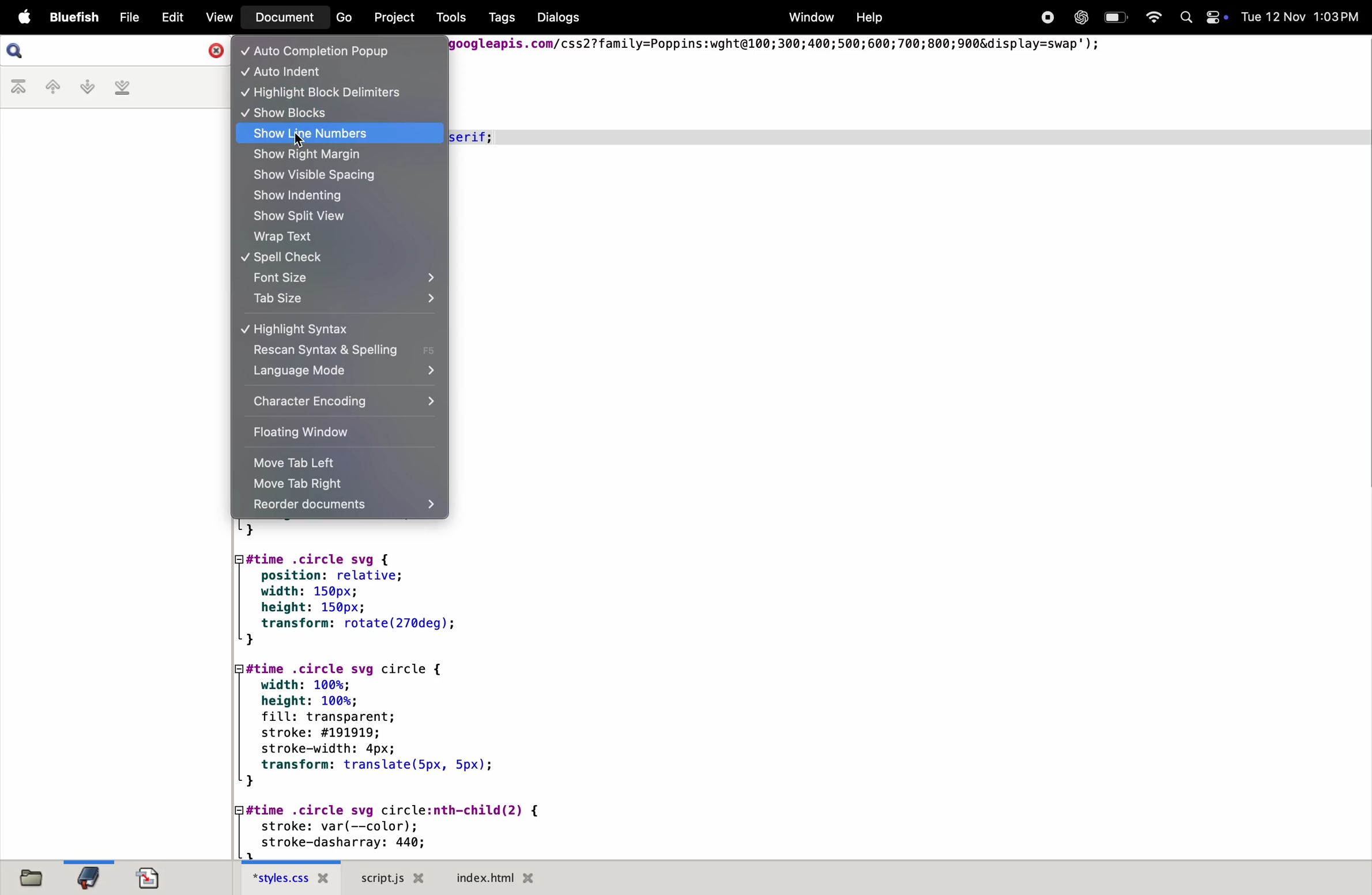  Describe the element at coordinates (70, 17) in the screenshot. I see `Bluefish` at that location.